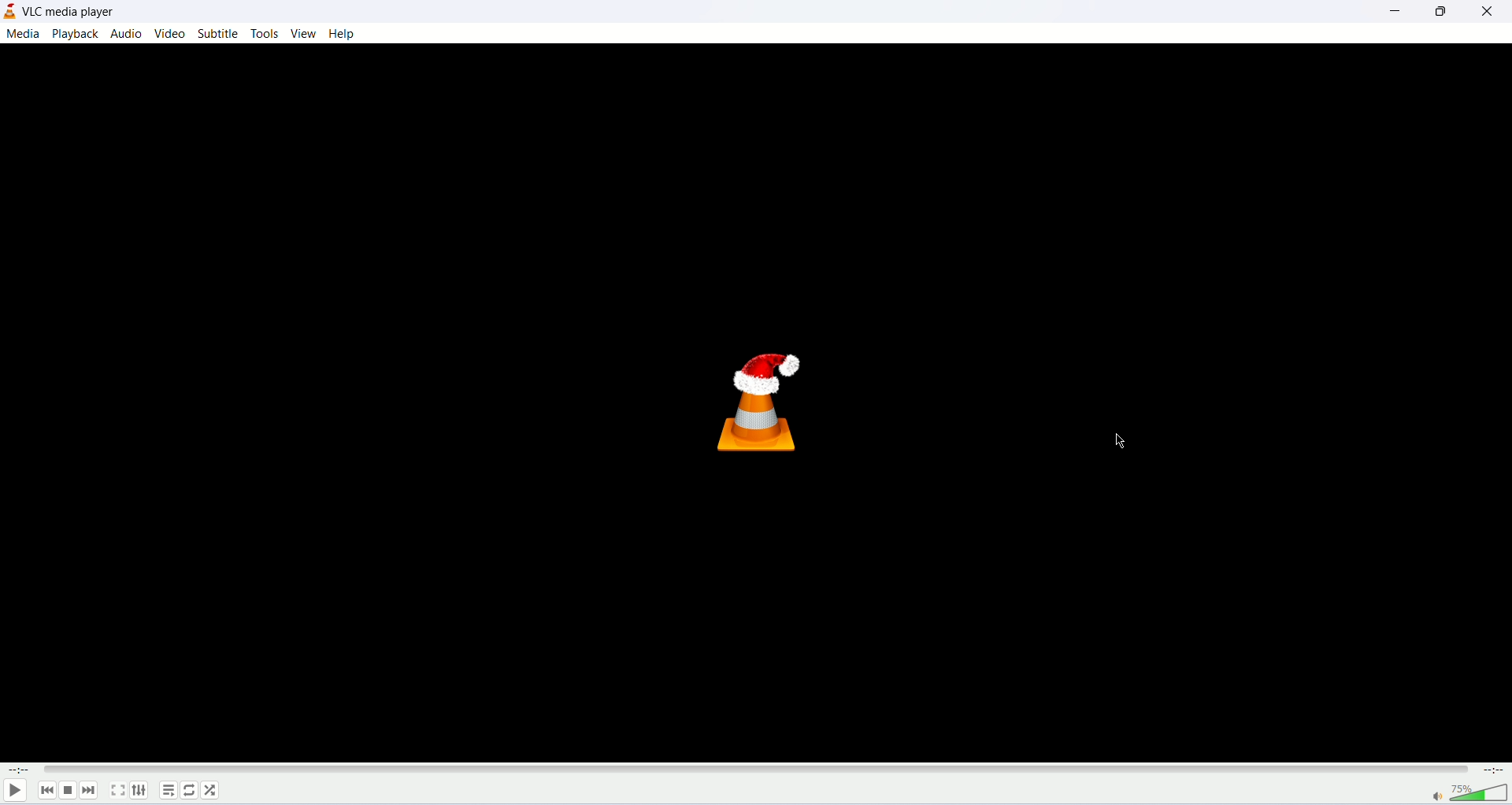 This screenshot has width=1512, height=805. I want to click on extended settings, so click(143, 792).